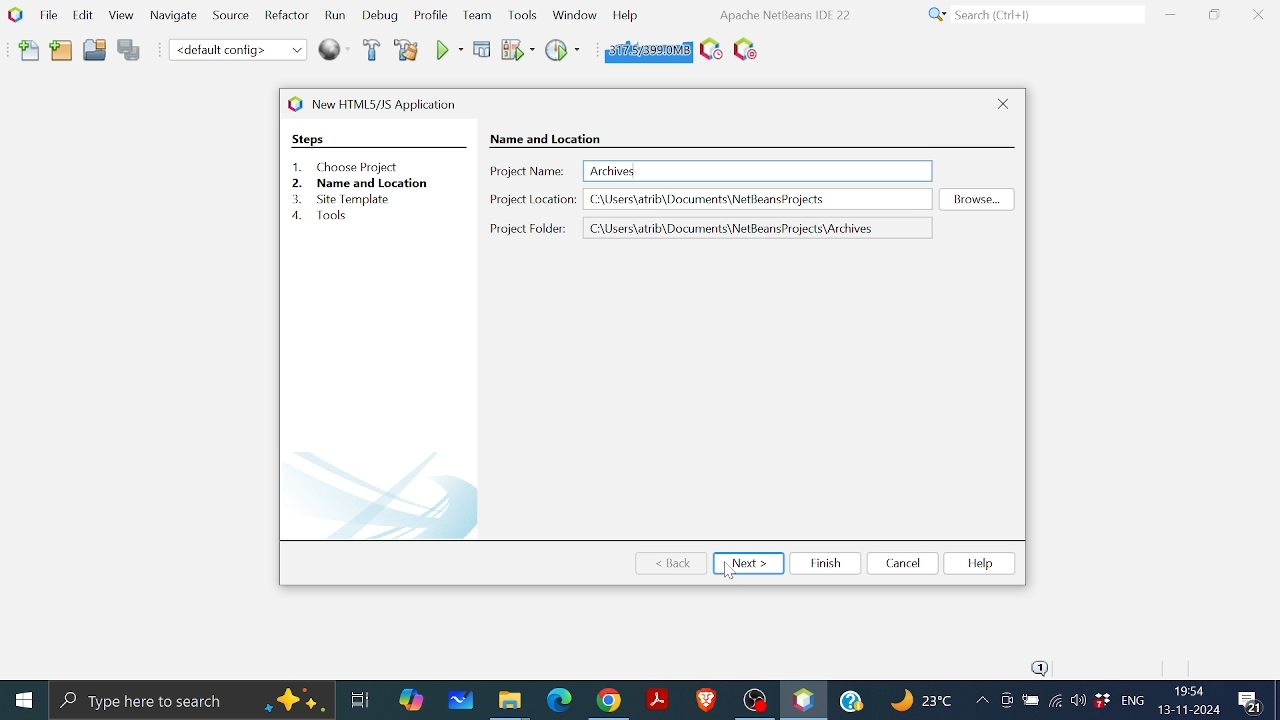 The image size is (1280, 720). What do you see at coordinates (754, 699) in the screenshot?
I see `OBS studio` at bounding box center [754, 699].